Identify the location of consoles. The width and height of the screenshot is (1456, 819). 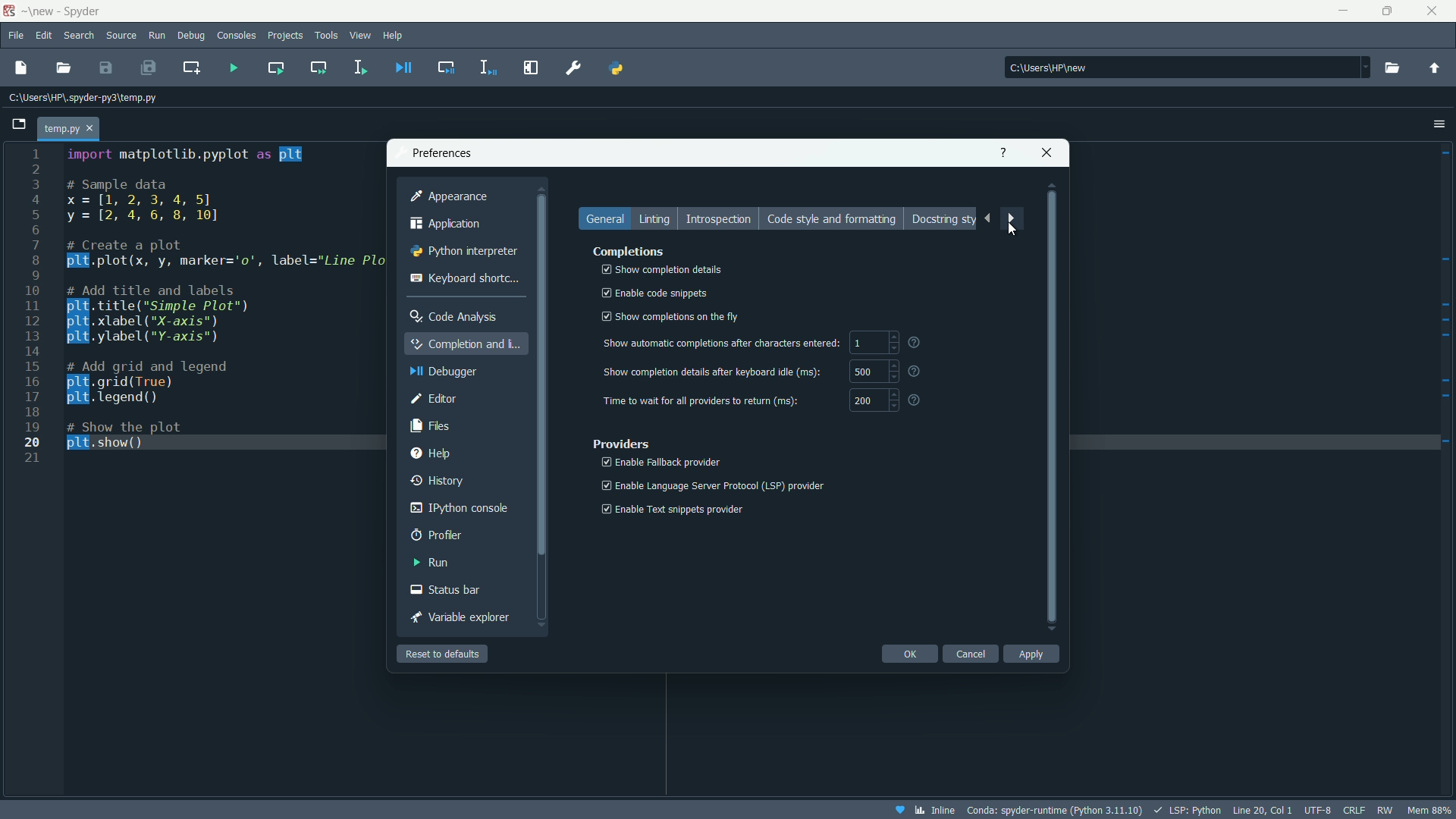
(237, 36).